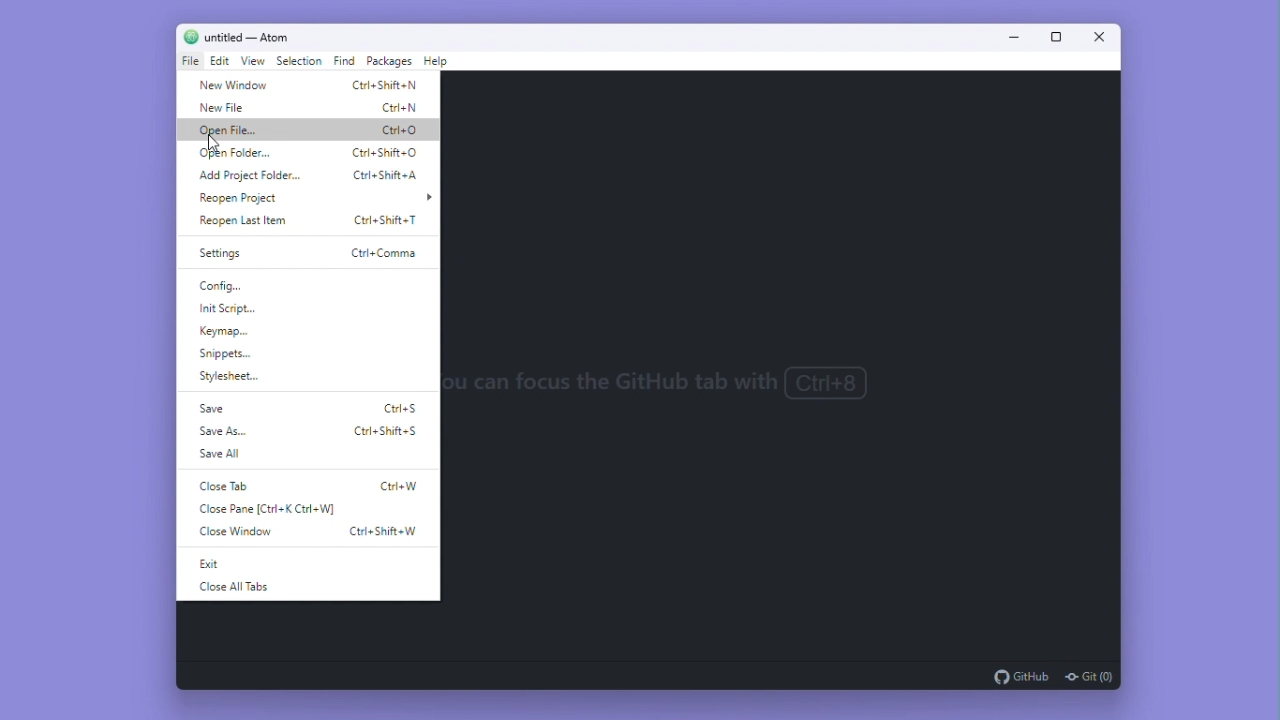 The width and height of the screenshot is (1280, 720). Describe the element at coordinates (389, 63) in the screenshot. I see `Packages` at that location.